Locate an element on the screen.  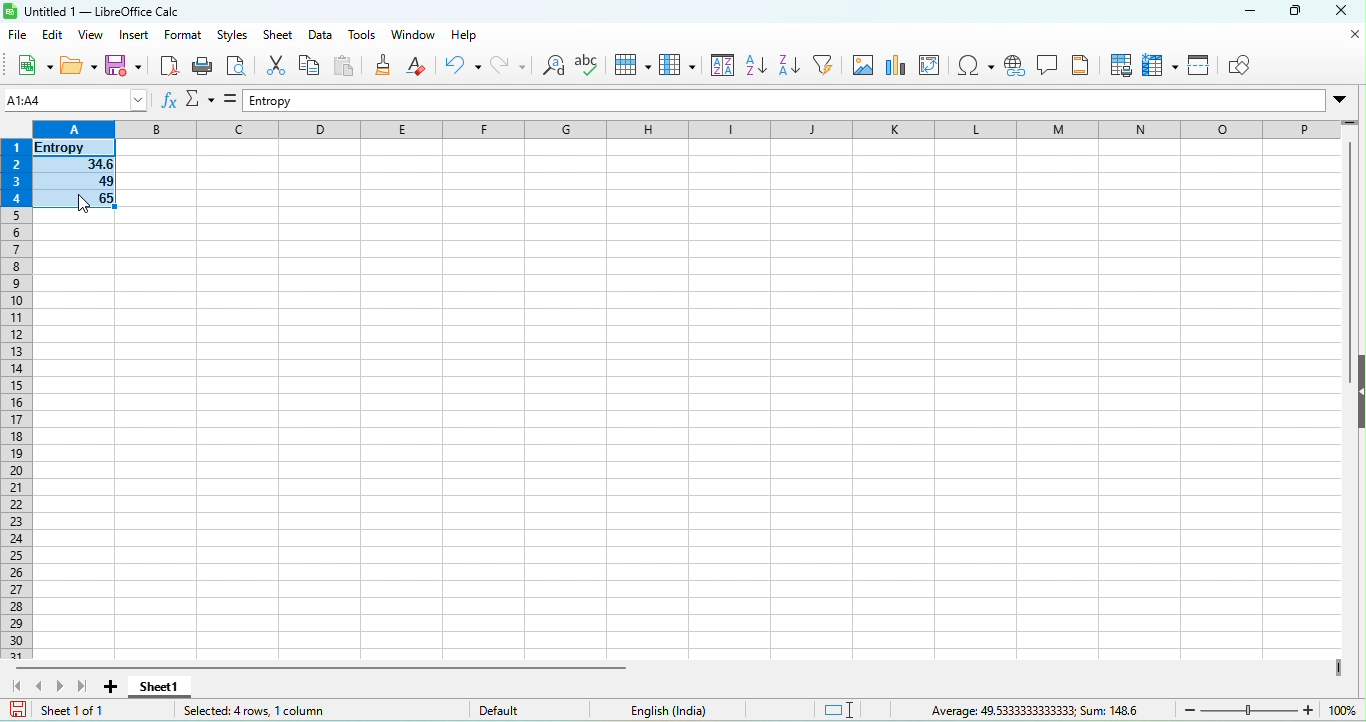
column headings is located at coordinates (687, 130).